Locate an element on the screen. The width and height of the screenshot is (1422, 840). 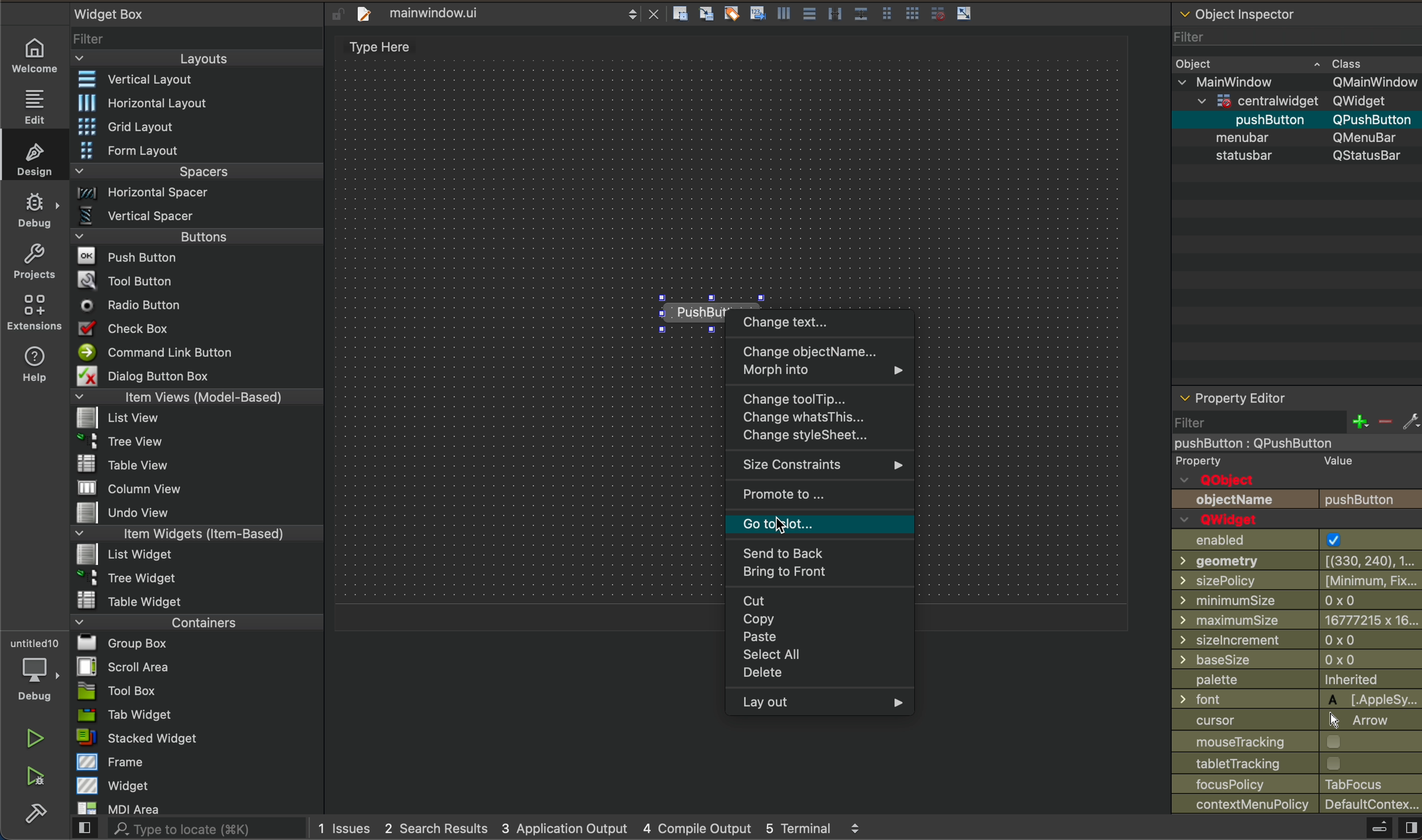
bring to front is located at coordinates (829, 577).